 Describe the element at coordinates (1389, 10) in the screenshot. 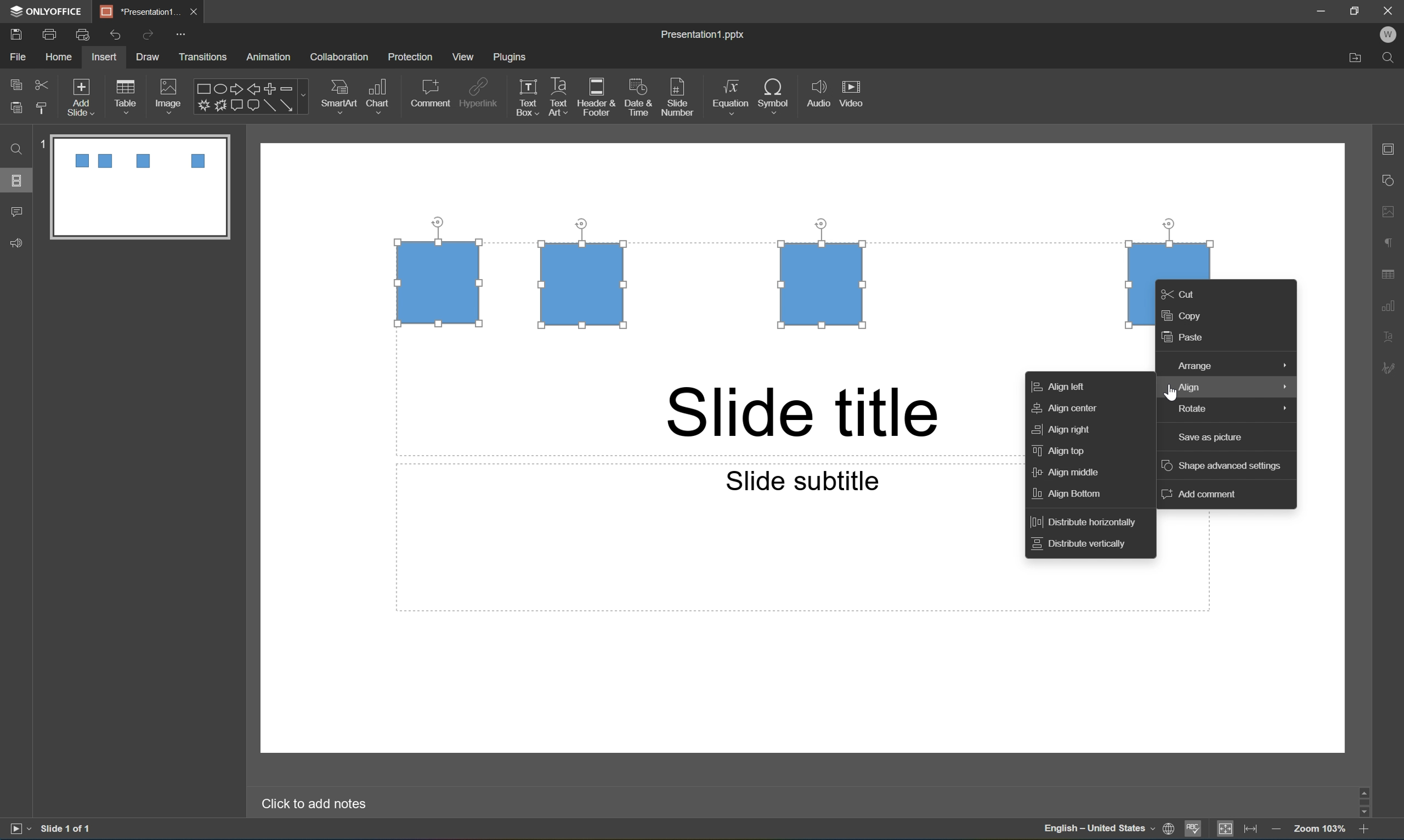

I see `close` at that location.